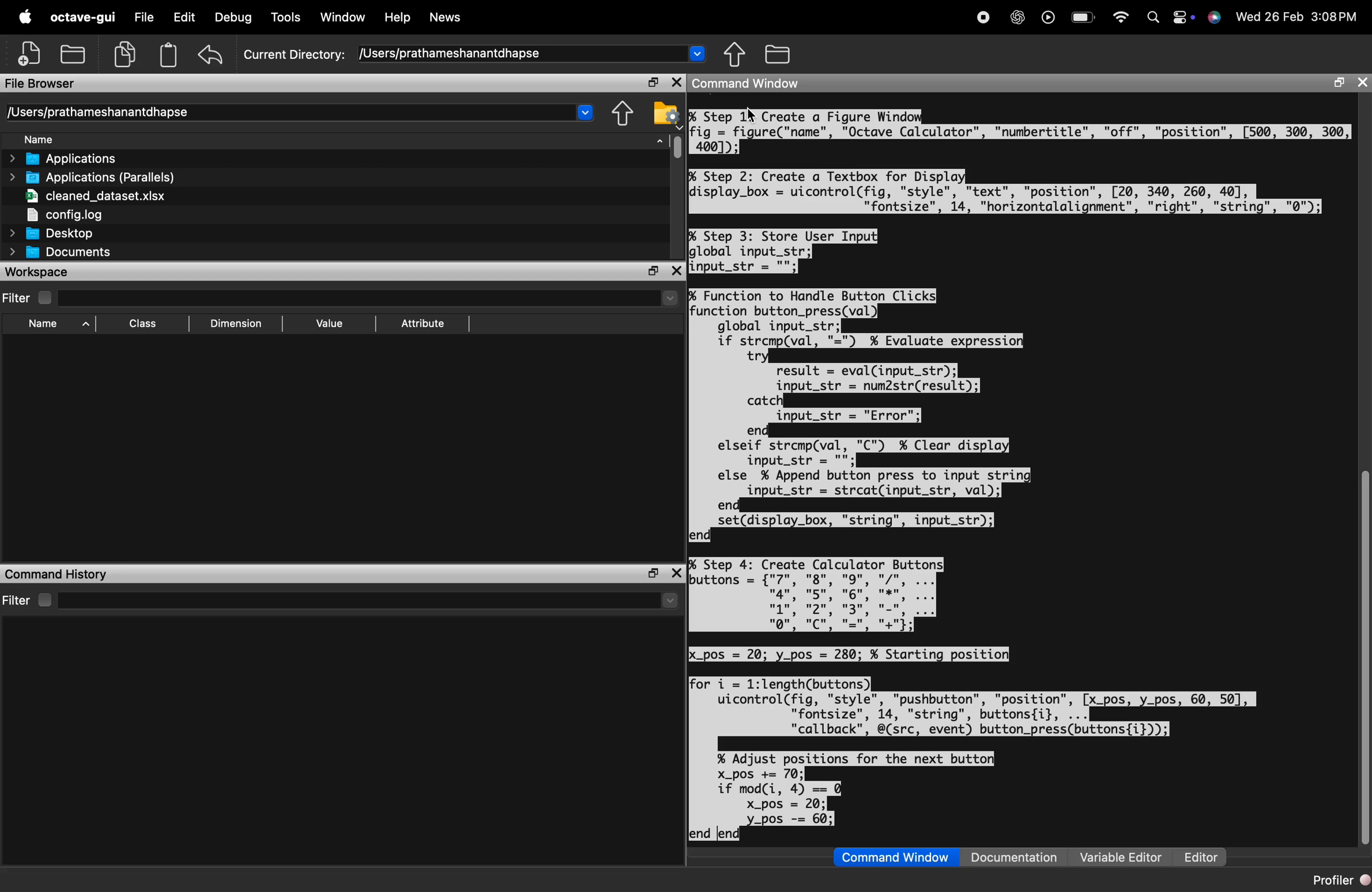 This screenshot has height=892, width=1372. What do you see at coordinates (1083, 16) in the screenshot?
I see `battery` at bounding box center [1083, 16].